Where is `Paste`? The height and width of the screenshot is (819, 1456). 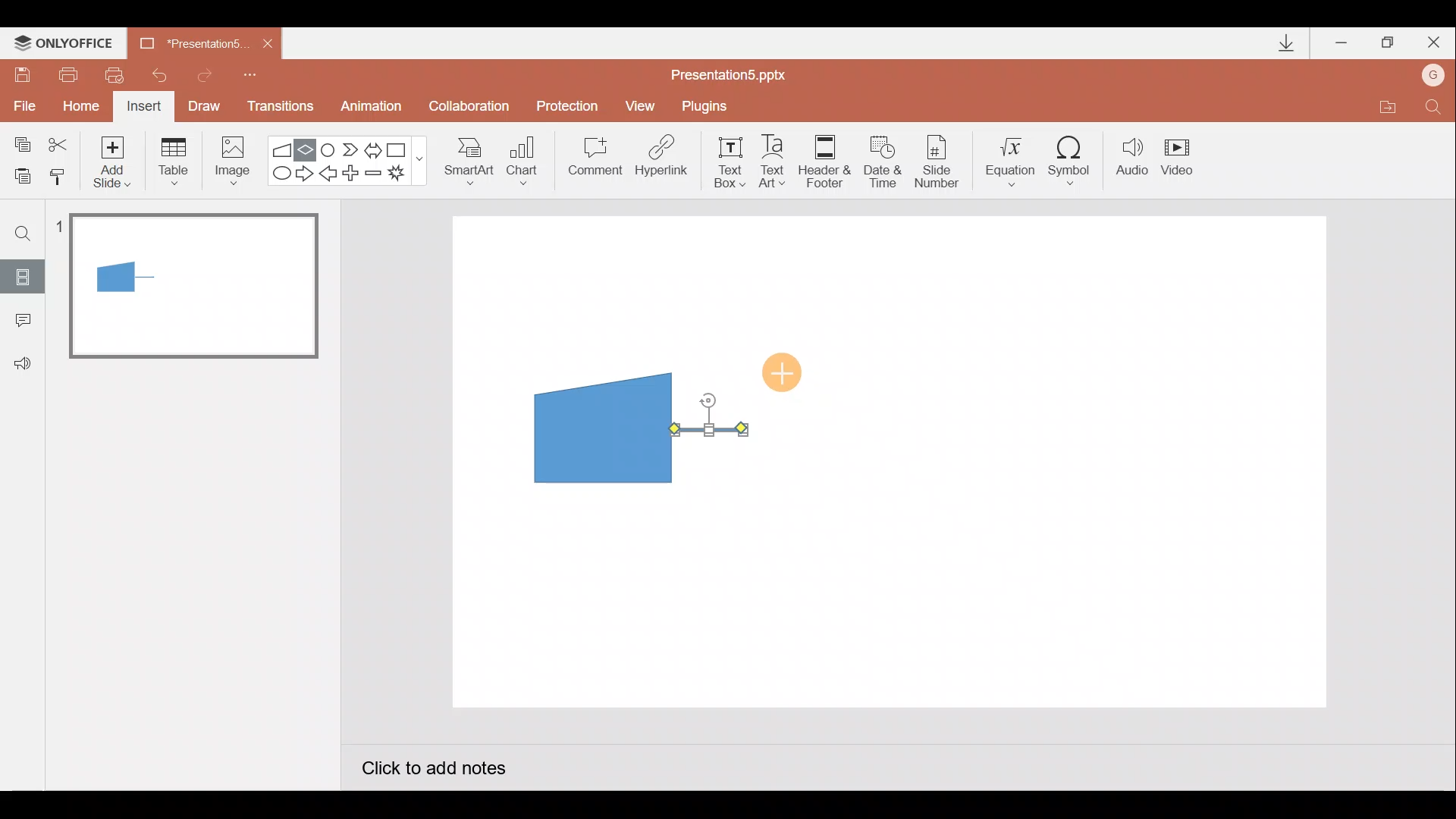 Paste is located at coordinates (18, 174).